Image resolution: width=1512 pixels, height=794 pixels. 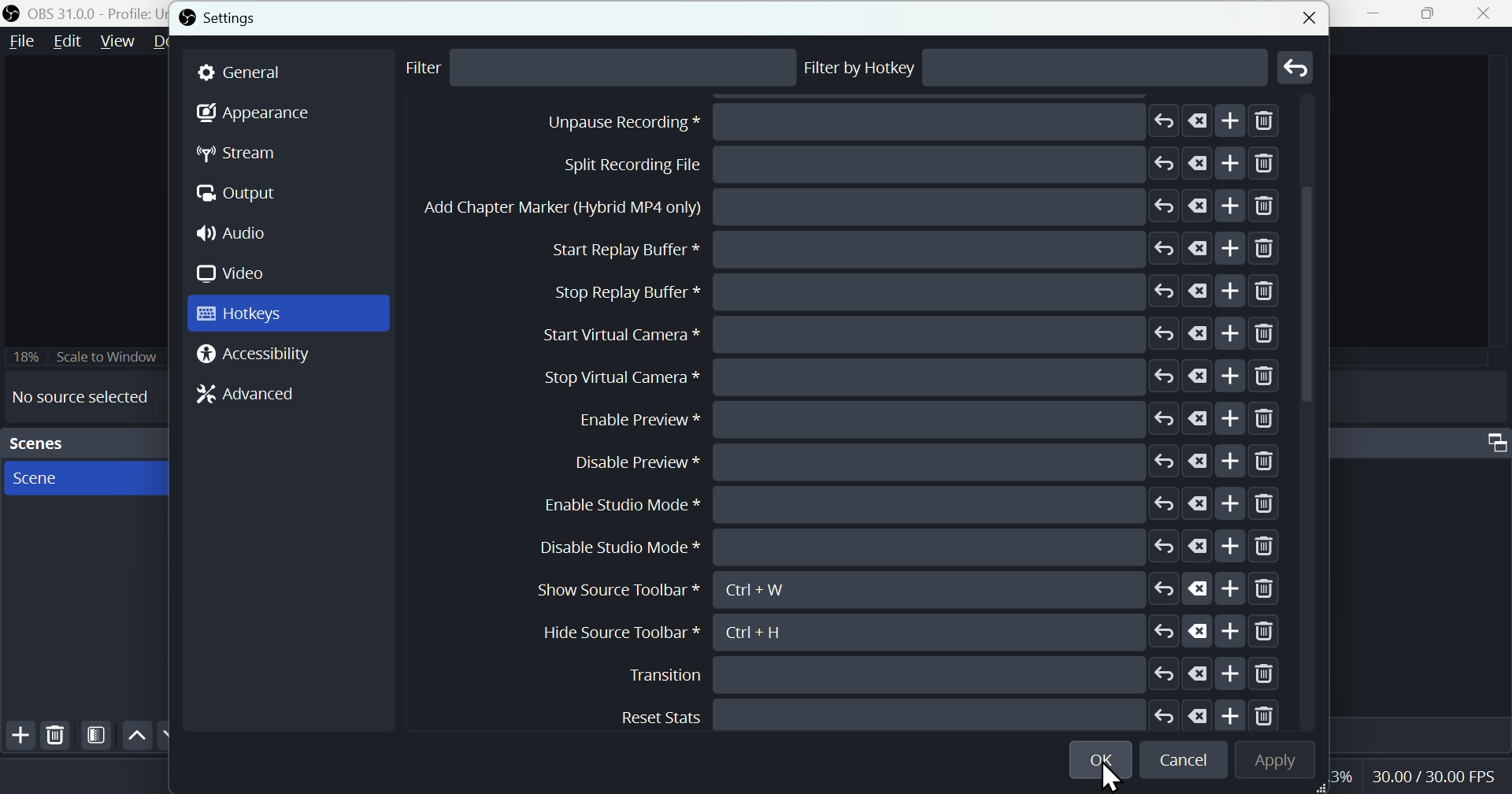 I want to click on Stop Replay Buffer, so click(x=916, y=462).